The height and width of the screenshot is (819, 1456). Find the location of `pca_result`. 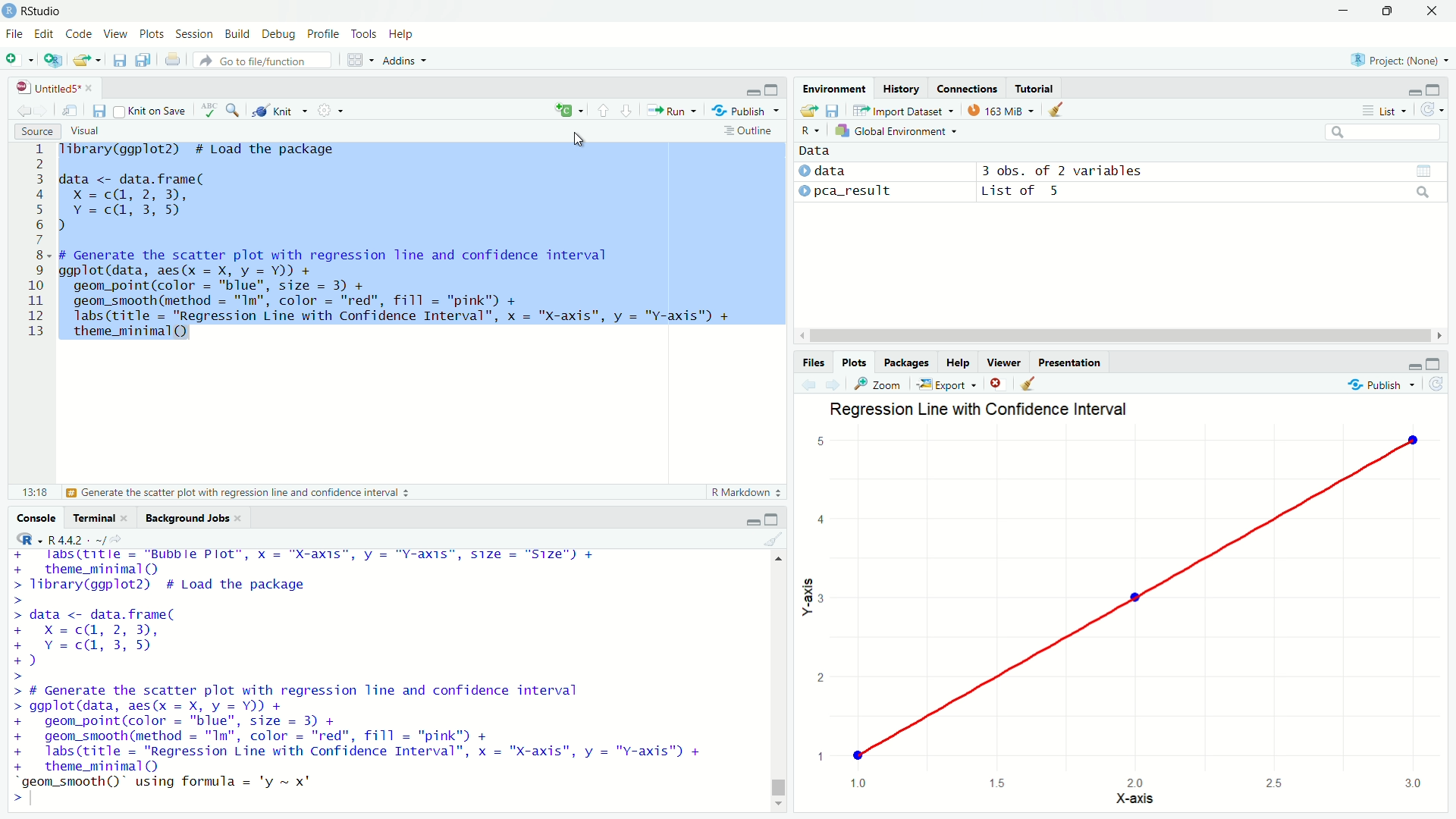

pca_result is located at coordinates (855, 191).